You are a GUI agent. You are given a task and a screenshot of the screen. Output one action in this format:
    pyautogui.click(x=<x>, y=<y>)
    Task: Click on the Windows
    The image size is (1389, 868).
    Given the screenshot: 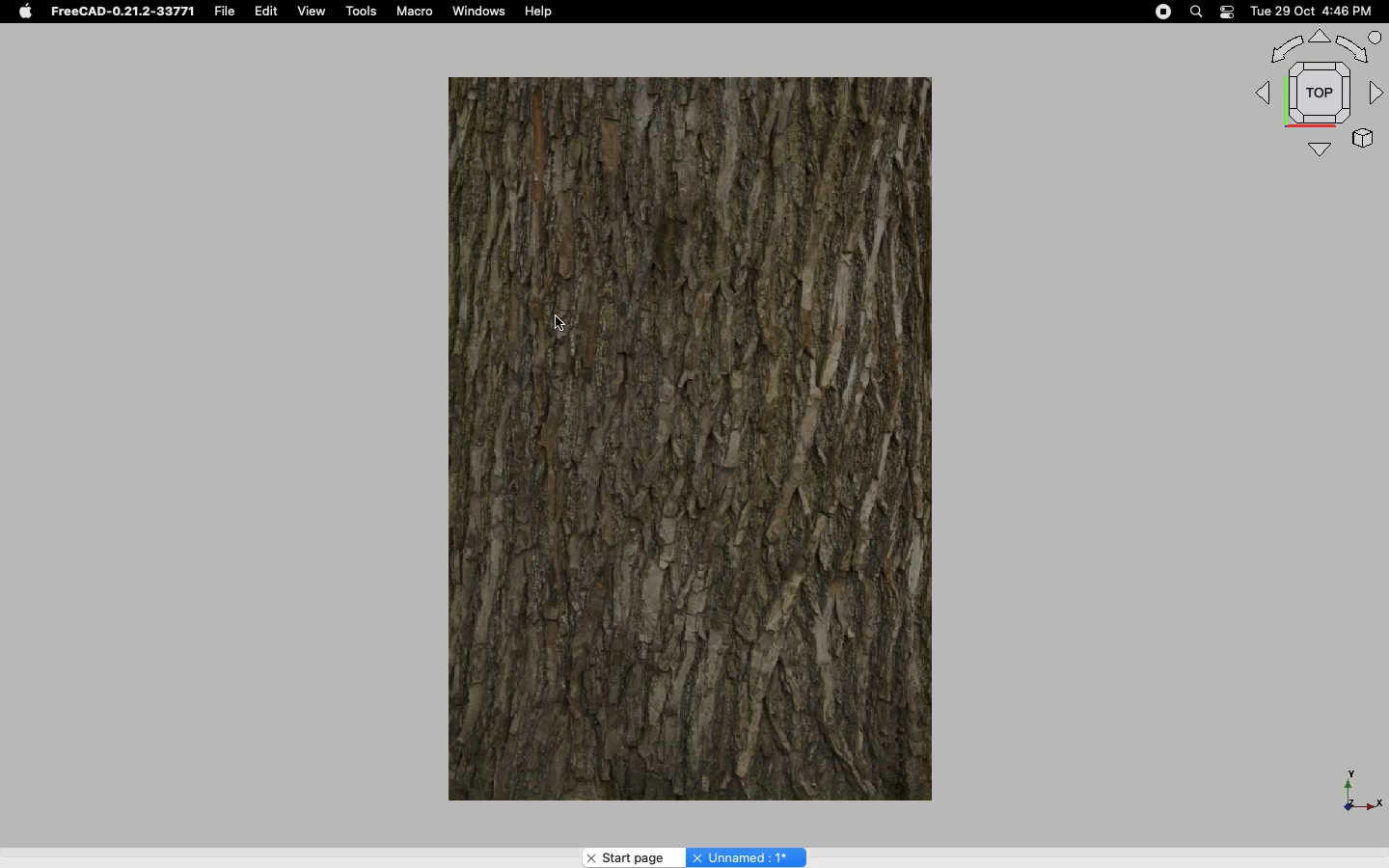 What is the action you would take?
    pyautogui.click(x=484, y=13)
    